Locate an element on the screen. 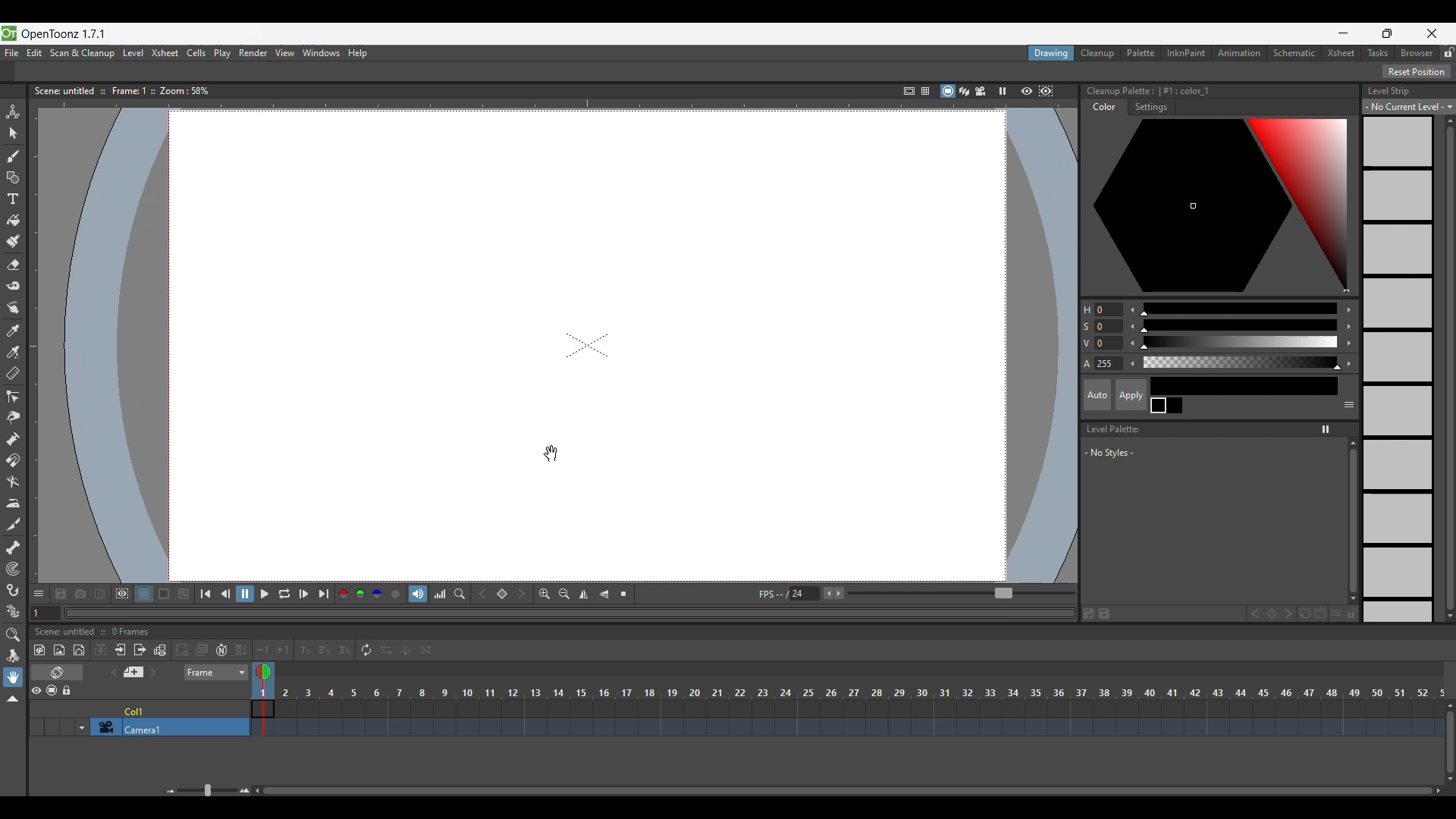  Zoom in is located at coordinates (245, 790).